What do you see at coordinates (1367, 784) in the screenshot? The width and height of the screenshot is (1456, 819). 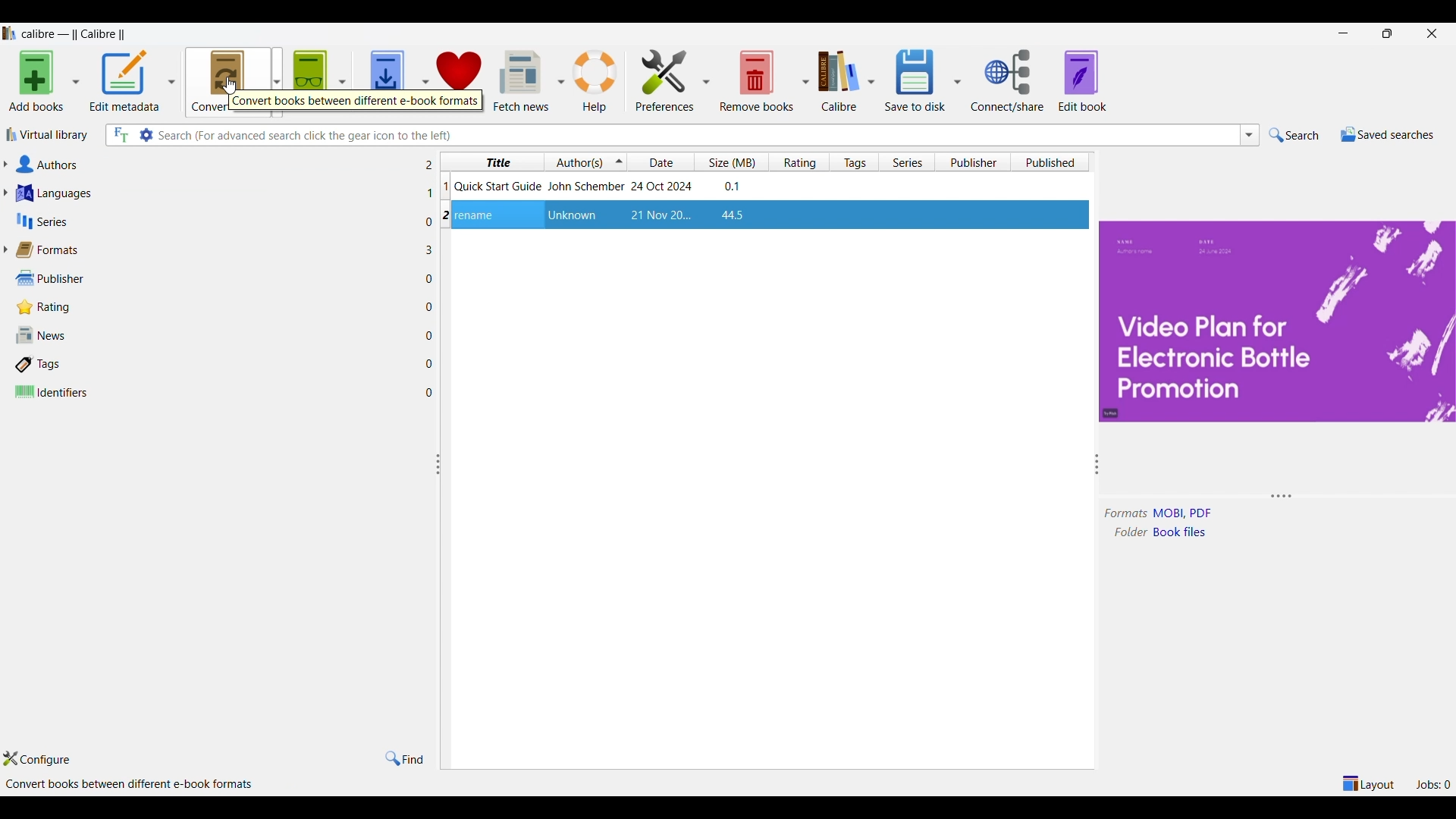 I see `Show/Hide parts of main window` at bounding box center [1367, 784].